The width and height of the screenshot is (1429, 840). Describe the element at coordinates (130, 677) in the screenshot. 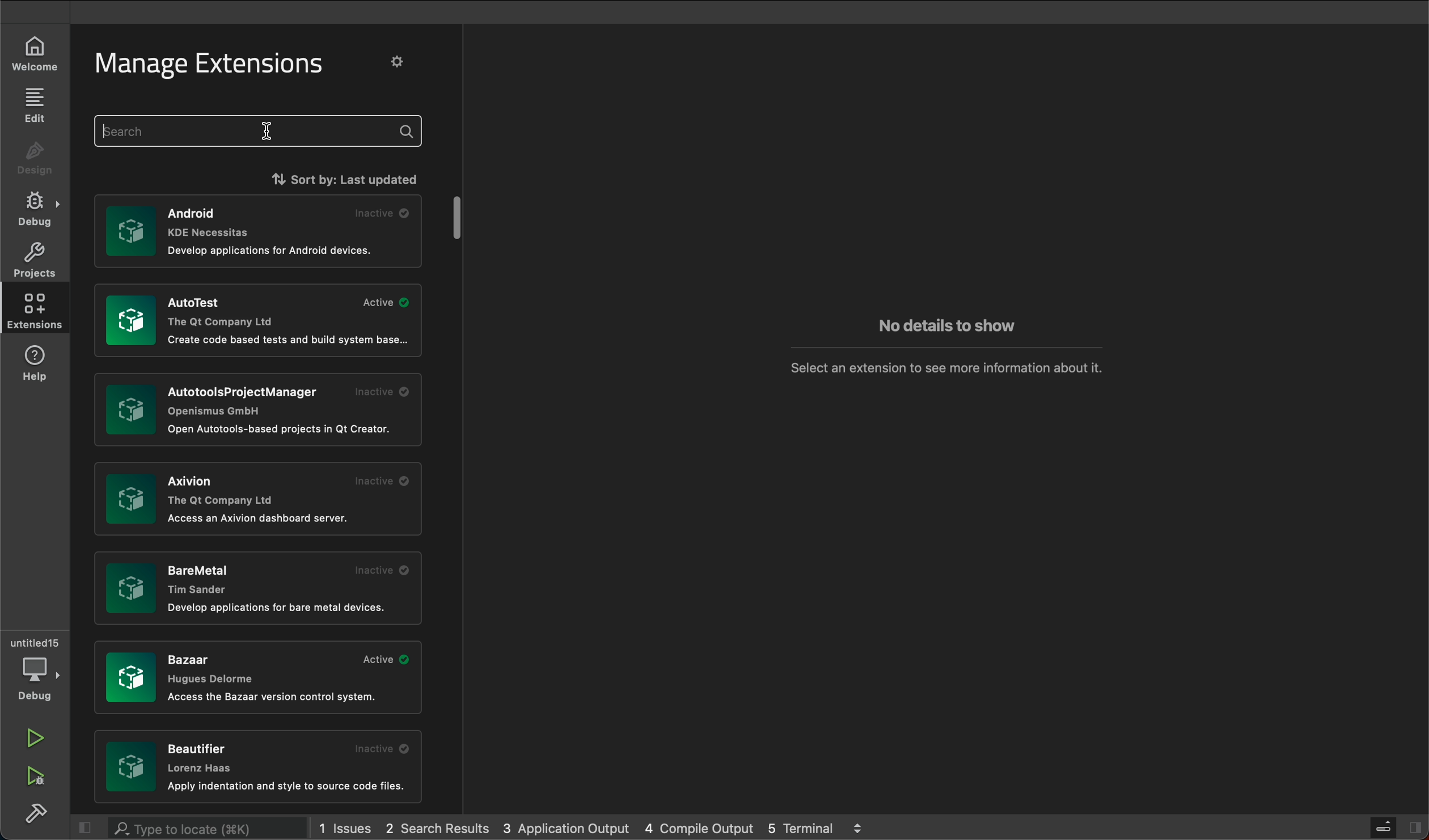

I see `image` at that location.